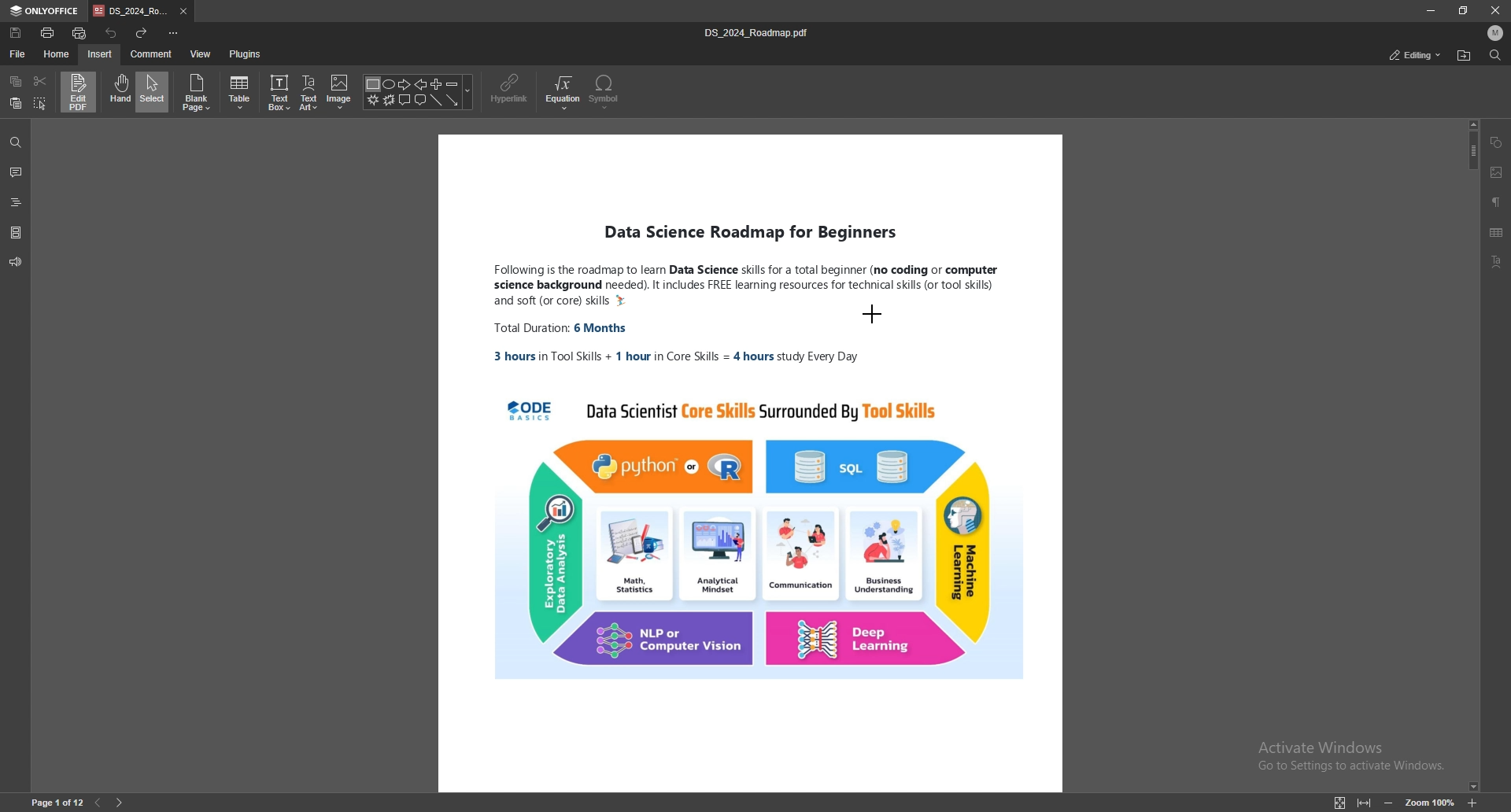  What do you see at coordinates (131, 12) in the screenshot?
I see `tab` at bounding box center [131, 12].